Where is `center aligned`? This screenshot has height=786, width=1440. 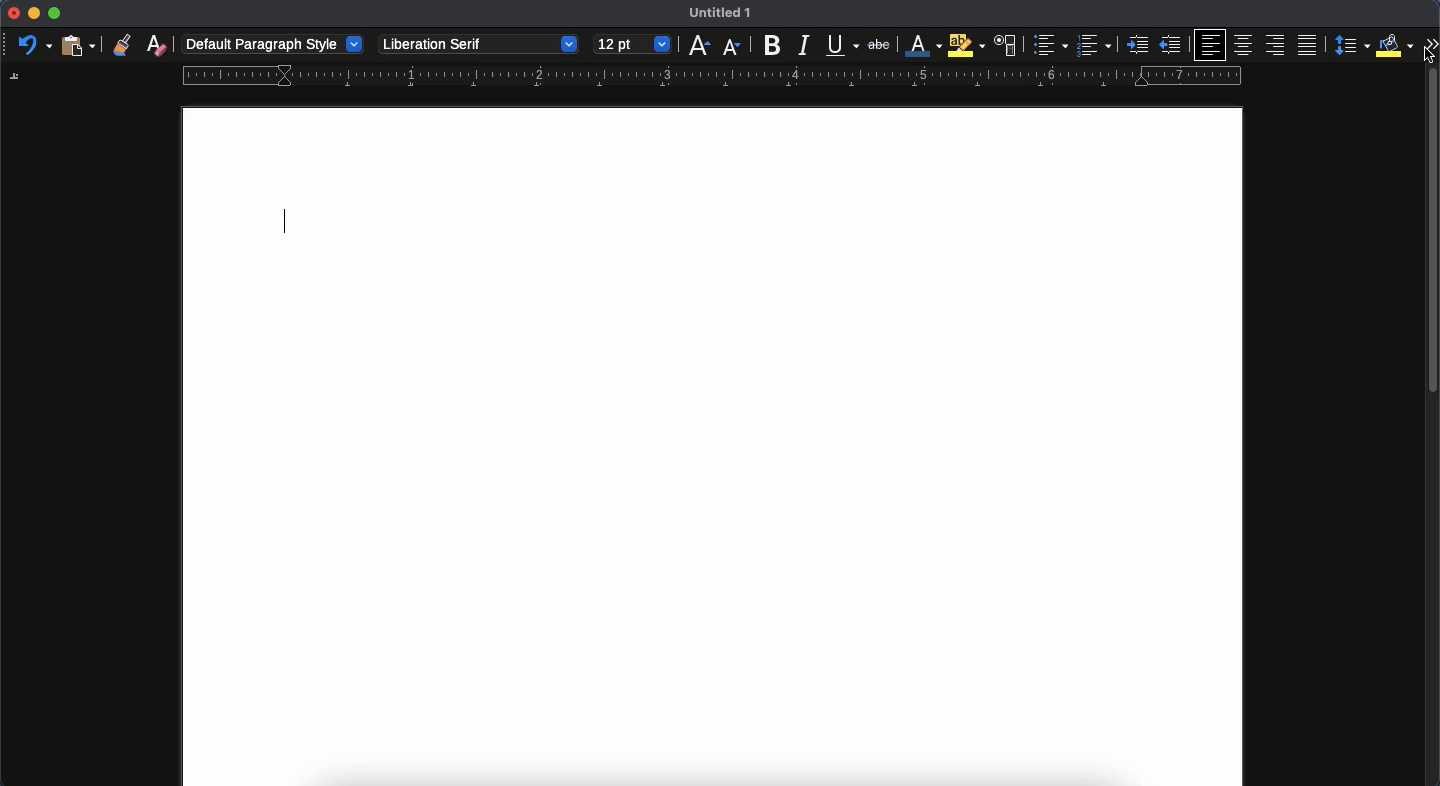
center aligned is located at coordinates (1246, 44).